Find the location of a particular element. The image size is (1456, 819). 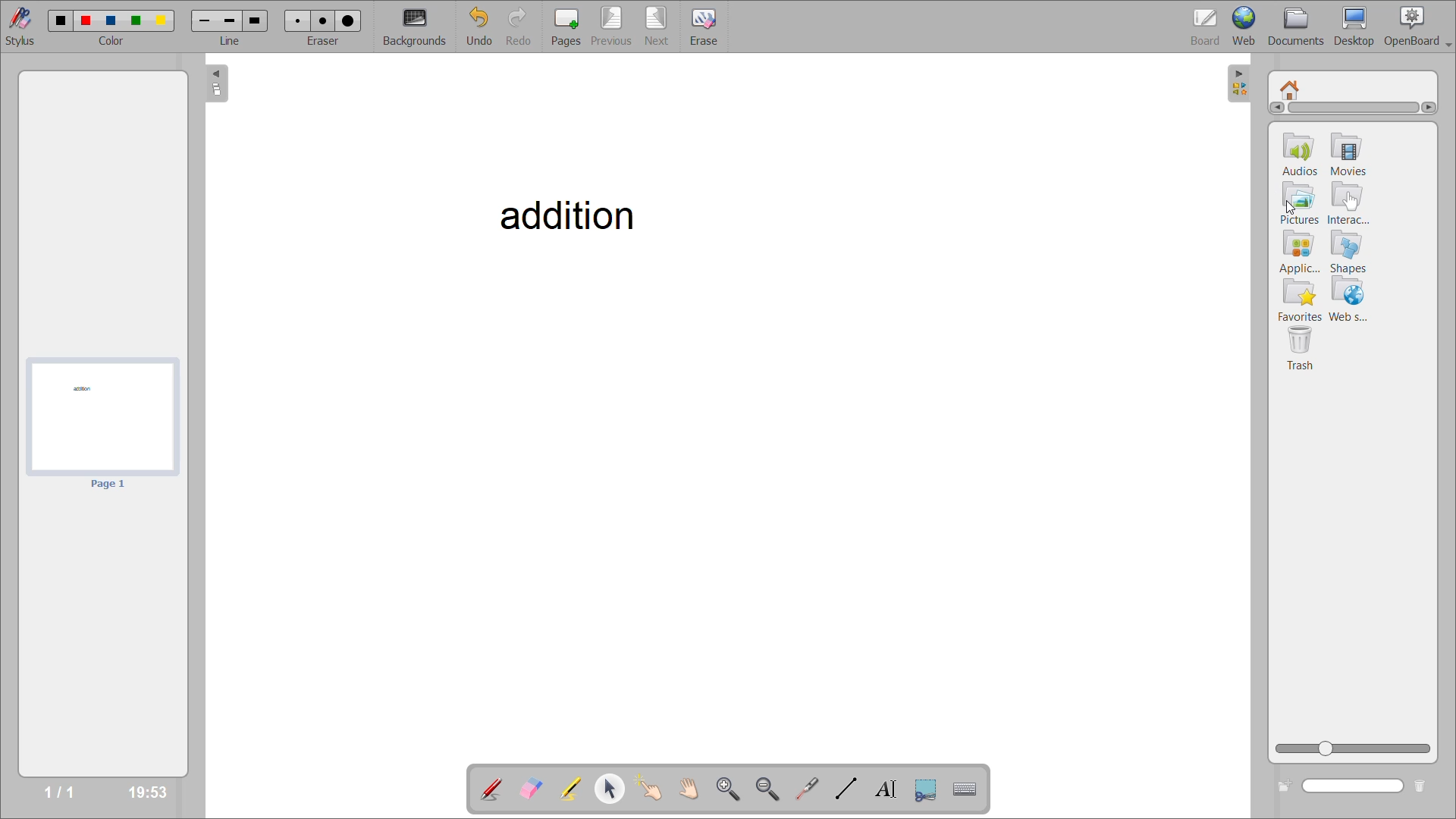

board is located at coordinates (1207, 27).